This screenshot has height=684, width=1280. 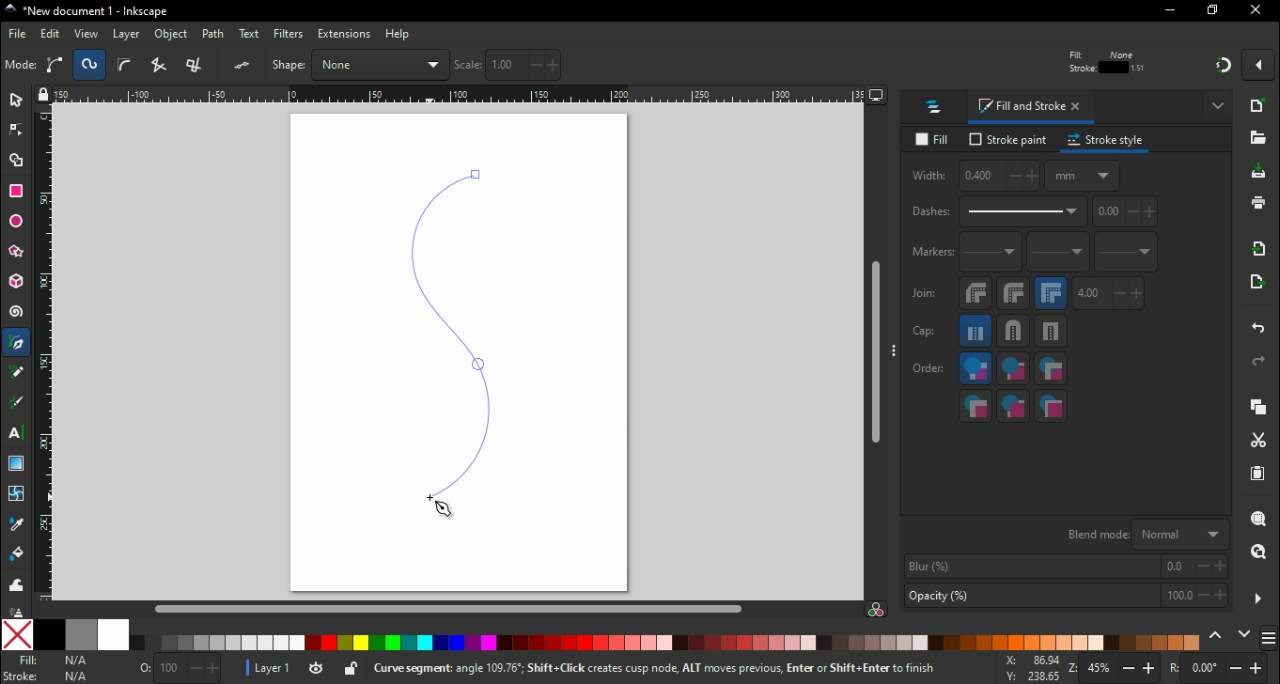 What do you see at coordinates (679, 667) in the screenshot?
I see `shortcuts and notifications` at bounding box center [679, 667].